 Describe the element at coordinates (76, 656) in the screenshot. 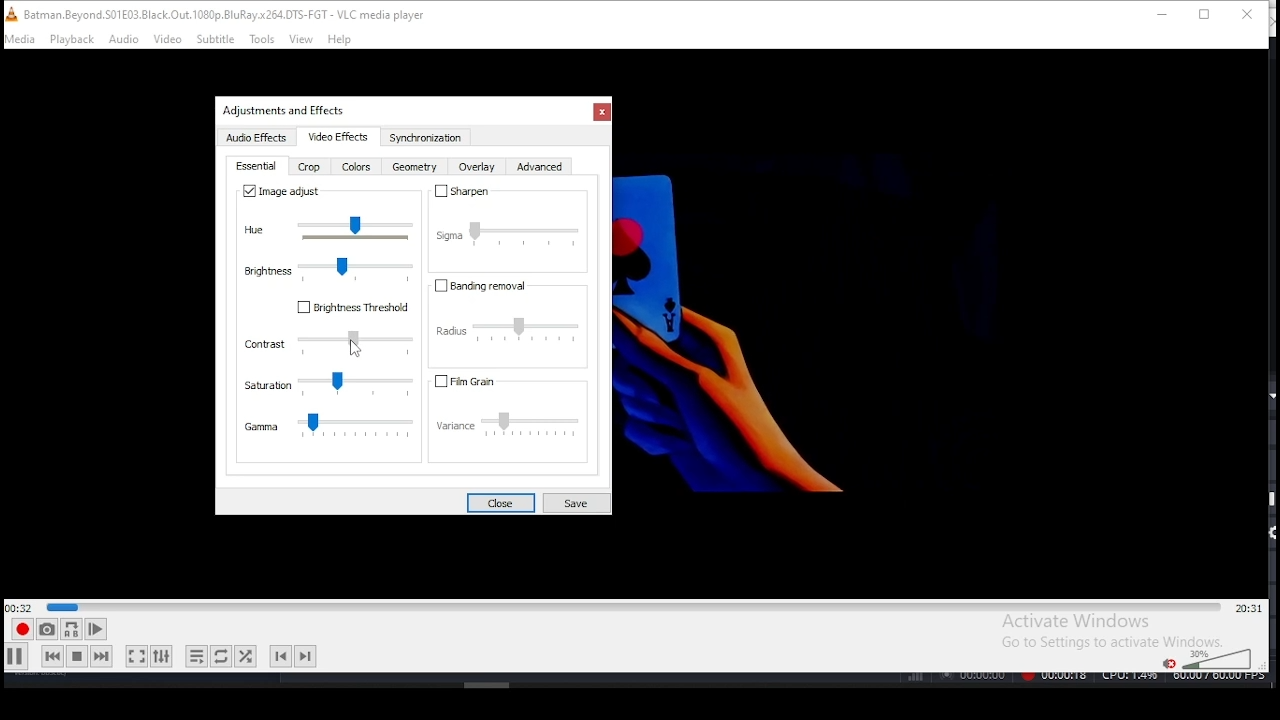

I see `stop` at that location.